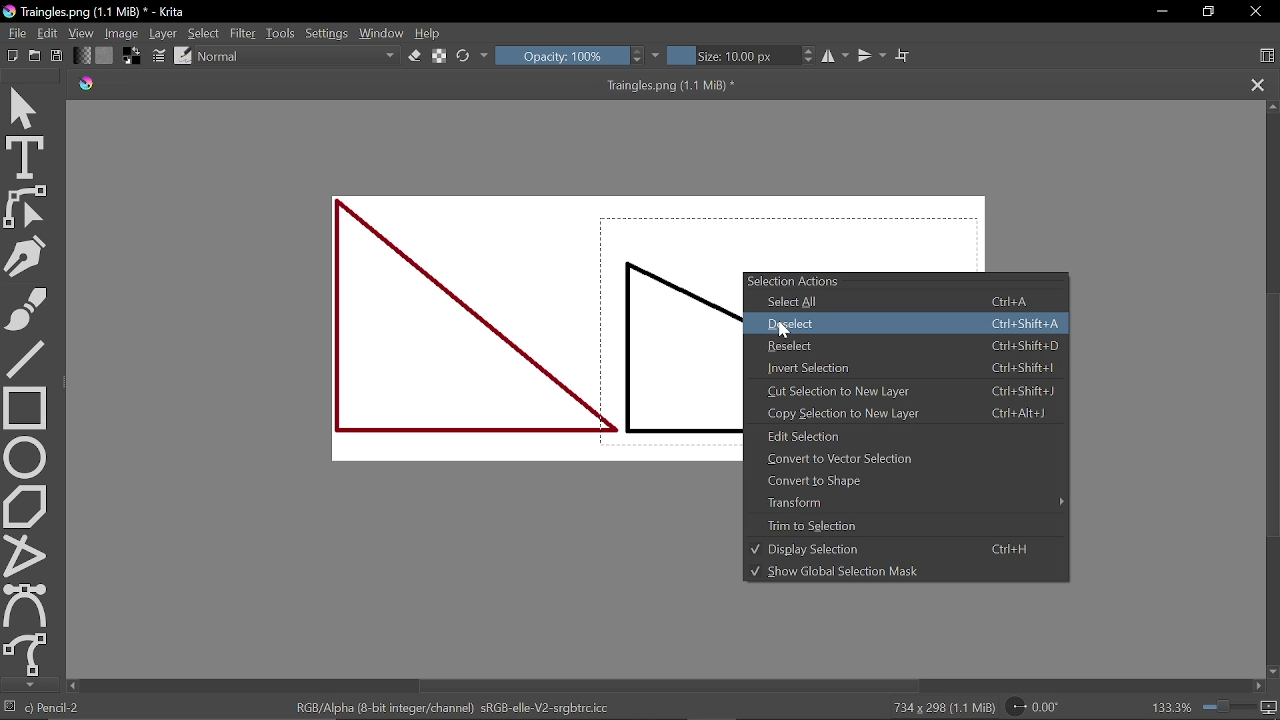 Image resolution: width=1280 pixels, height=720 pixels. I want to click on Normal, so click(298, 57).